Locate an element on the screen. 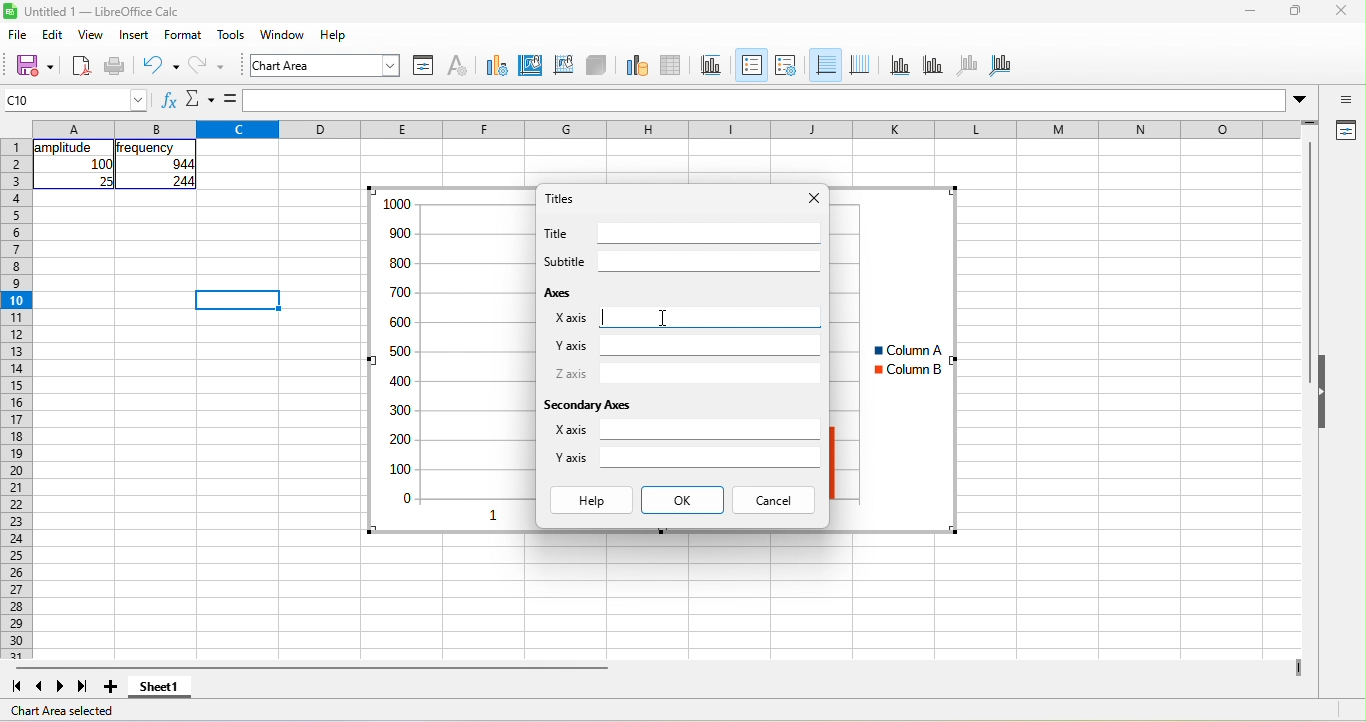  Y axis is located at coordinates (571, 346).